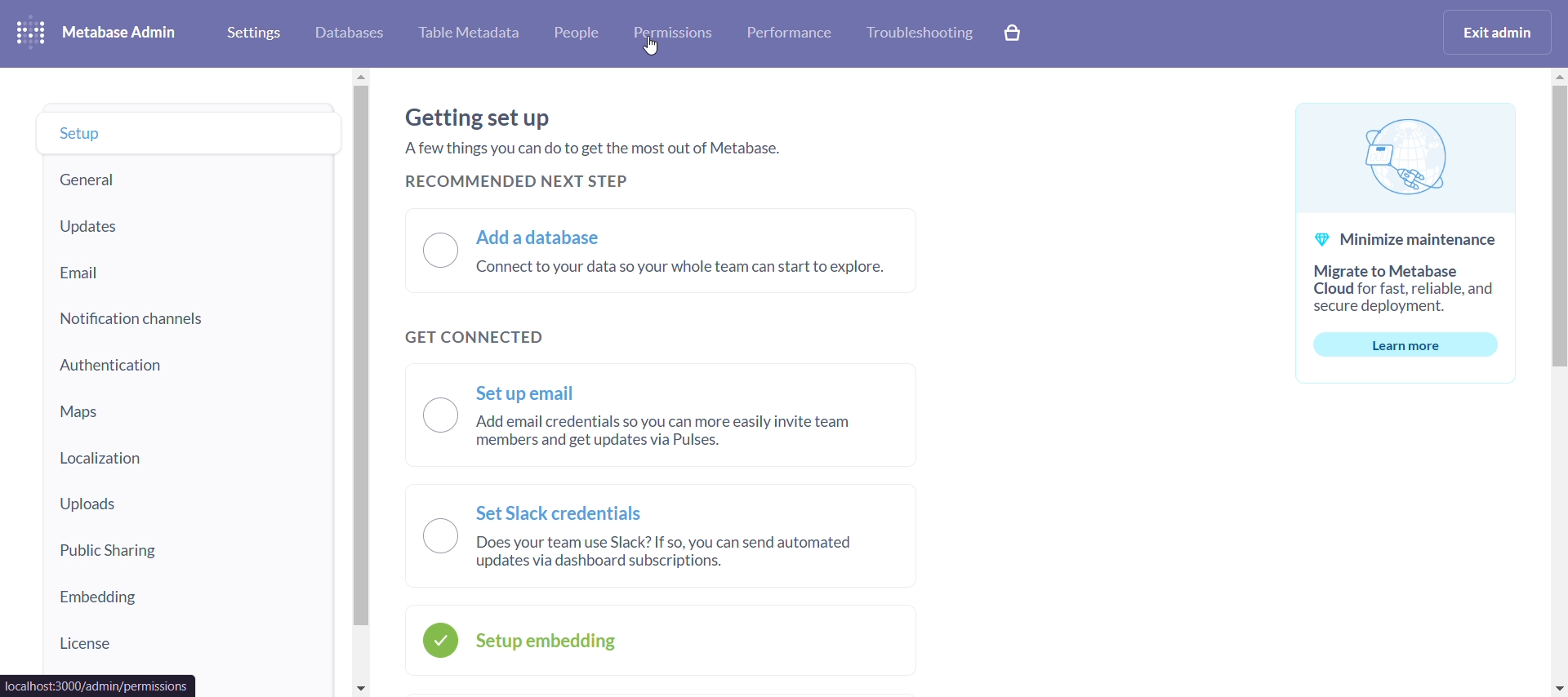 The width and height of the screenshot is (1568, 697). I want to click on set slack credentials, so click(664, 536).